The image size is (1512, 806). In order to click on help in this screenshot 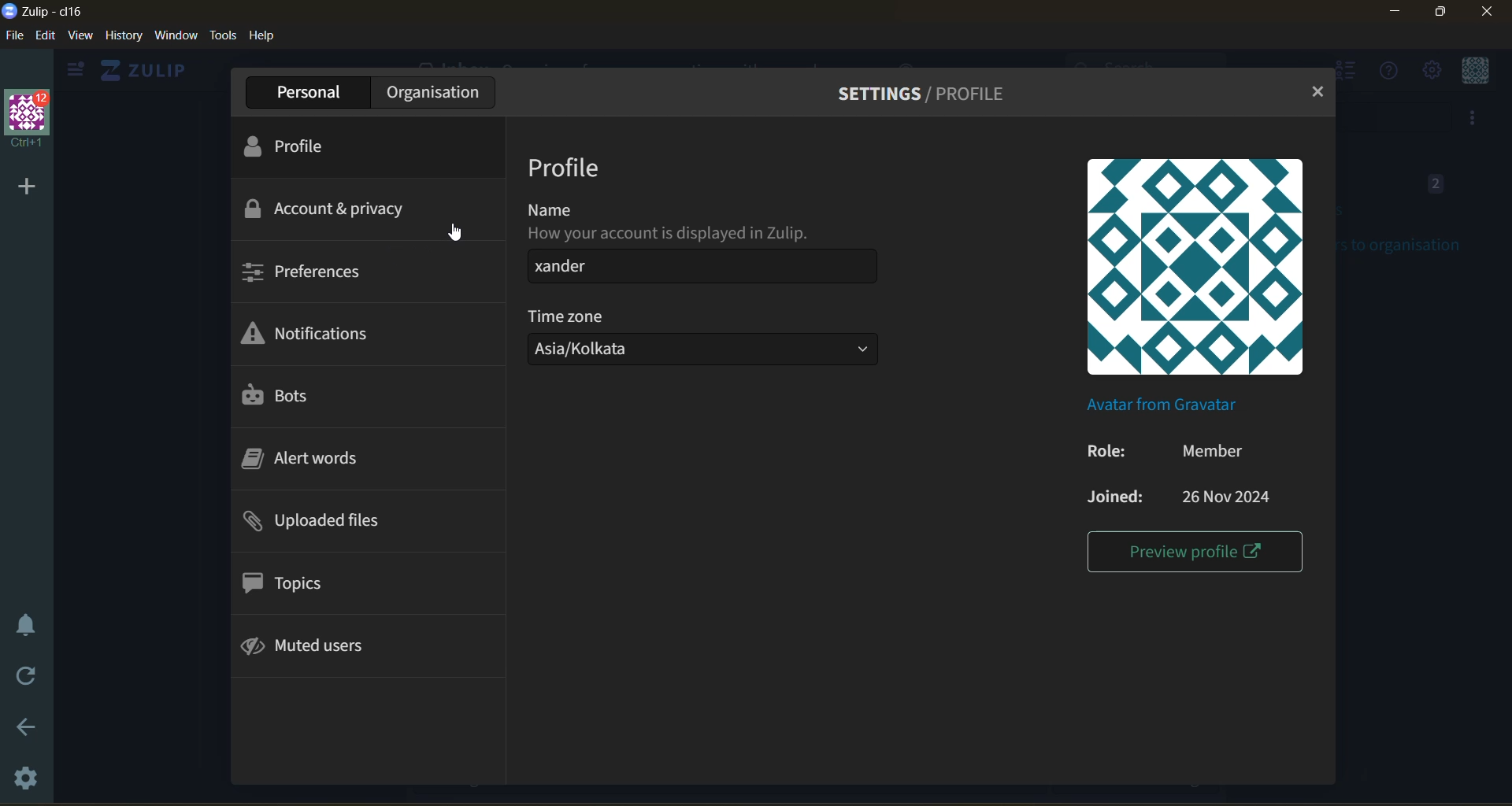, I will do `click(262, 36)`.